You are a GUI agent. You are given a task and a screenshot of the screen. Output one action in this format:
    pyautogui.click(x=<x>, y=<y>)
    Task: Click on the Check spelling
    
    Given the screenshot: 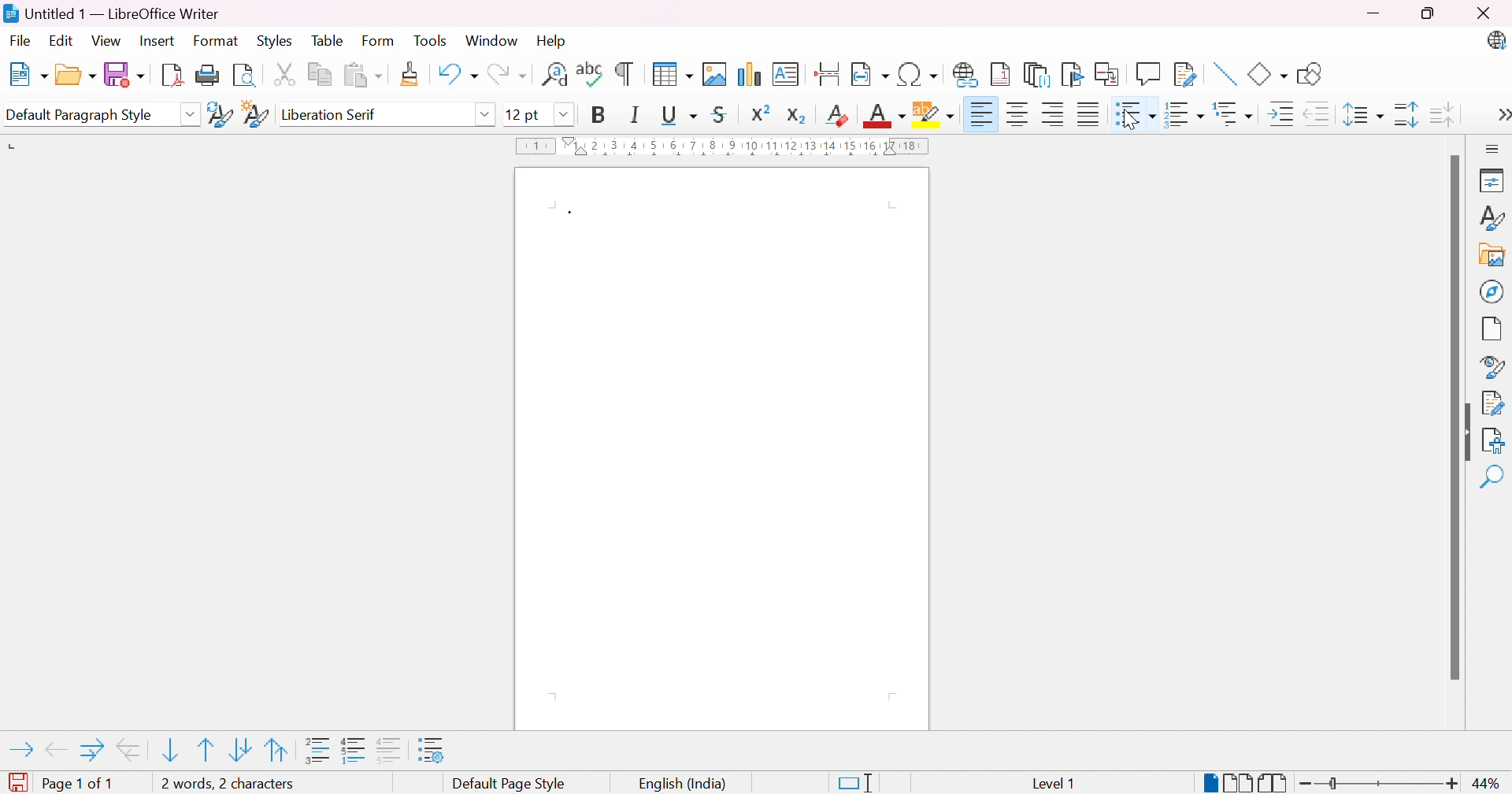 What is the action you would take?
    pyautogui.click(x=591, y=72)
    